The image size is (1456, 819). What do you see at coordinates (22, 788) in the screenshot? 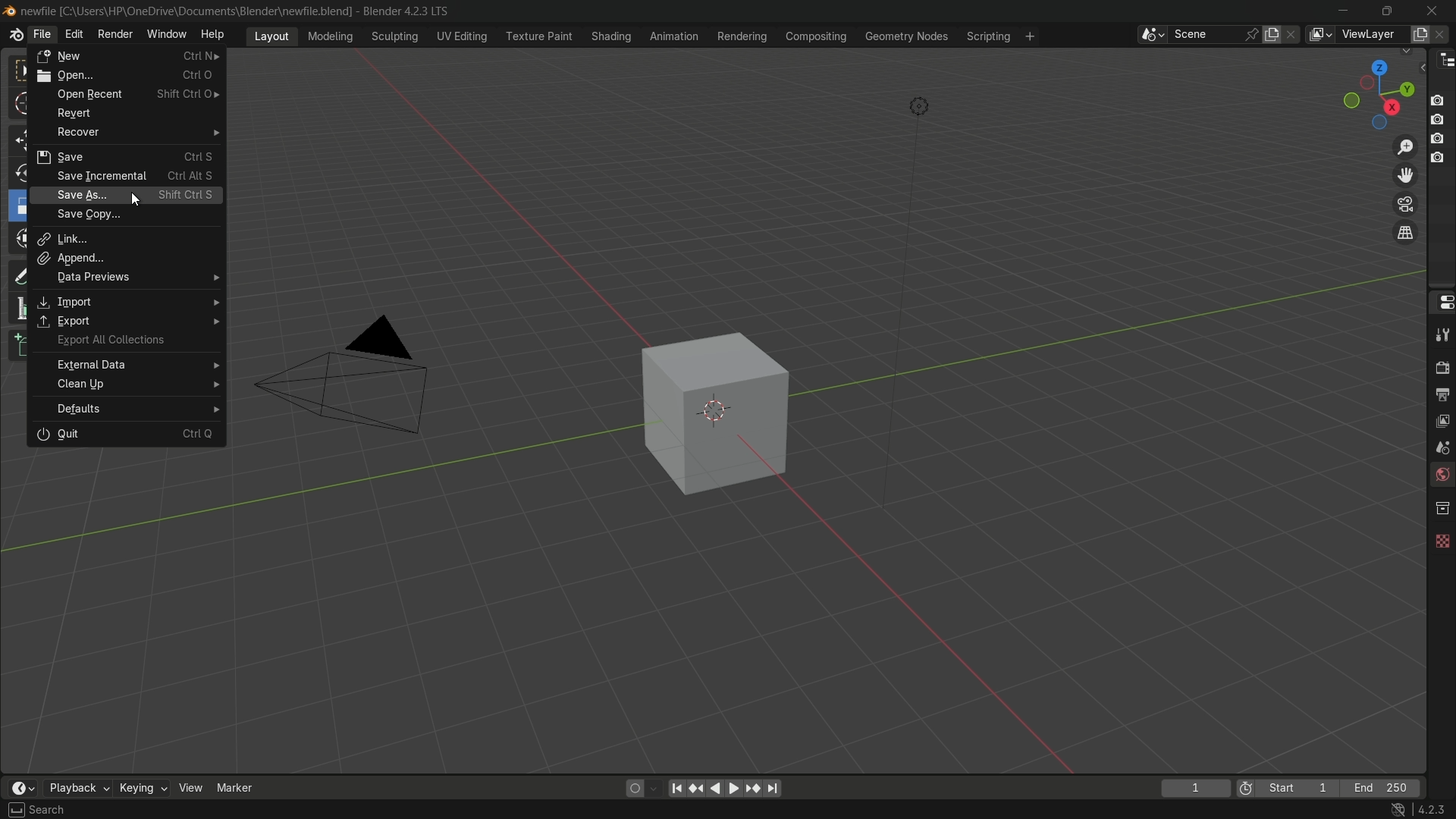
I see `timeline` at bounding box center [22, 788].